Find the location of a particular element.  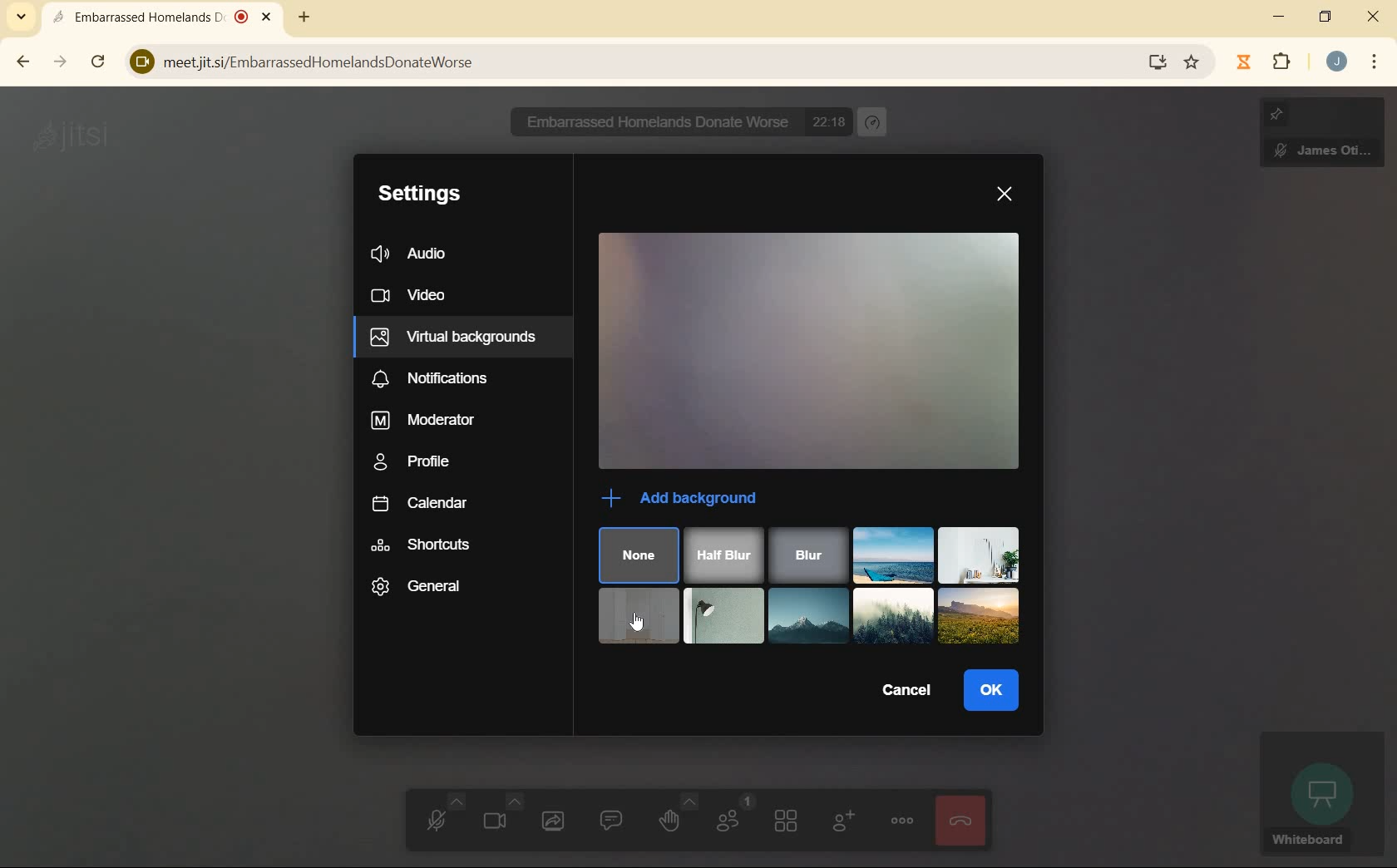

mountain is located at coordinates (806, 615).